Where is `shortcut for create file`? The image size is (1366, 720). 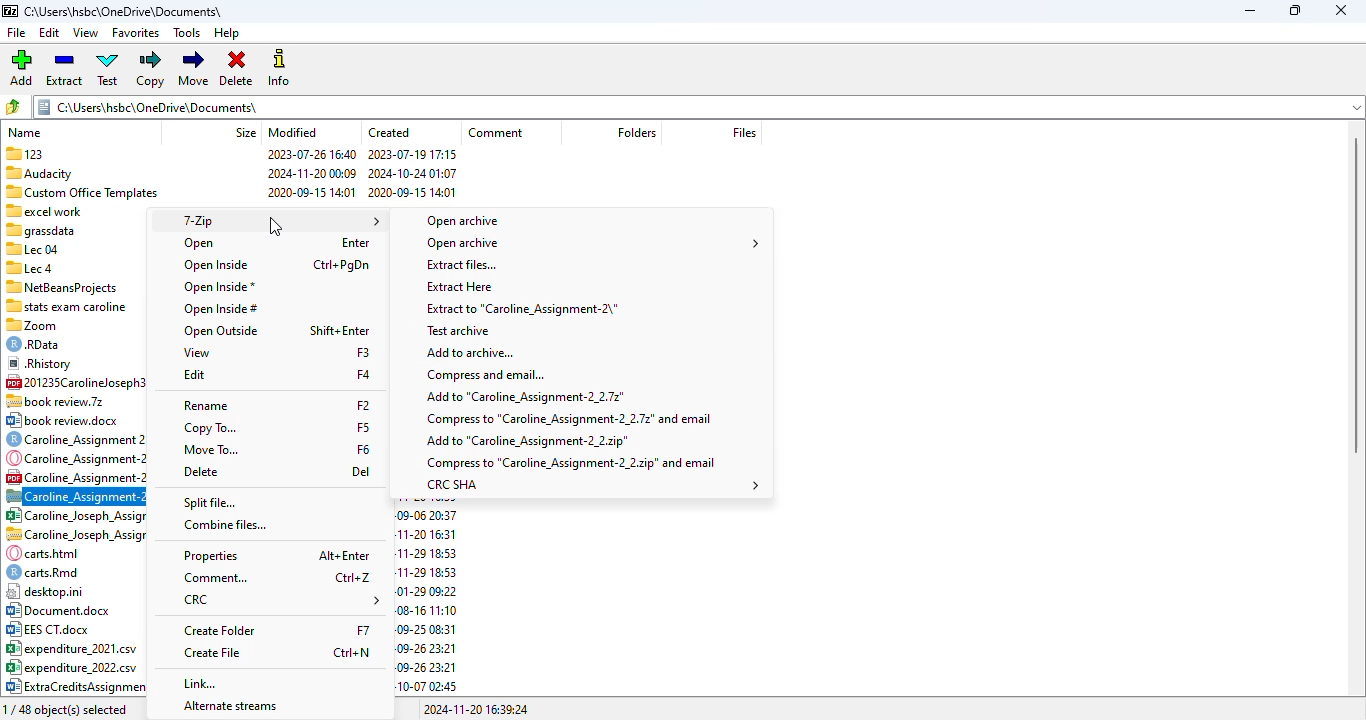 shortcut for create file is located at coordinates (352, 653).